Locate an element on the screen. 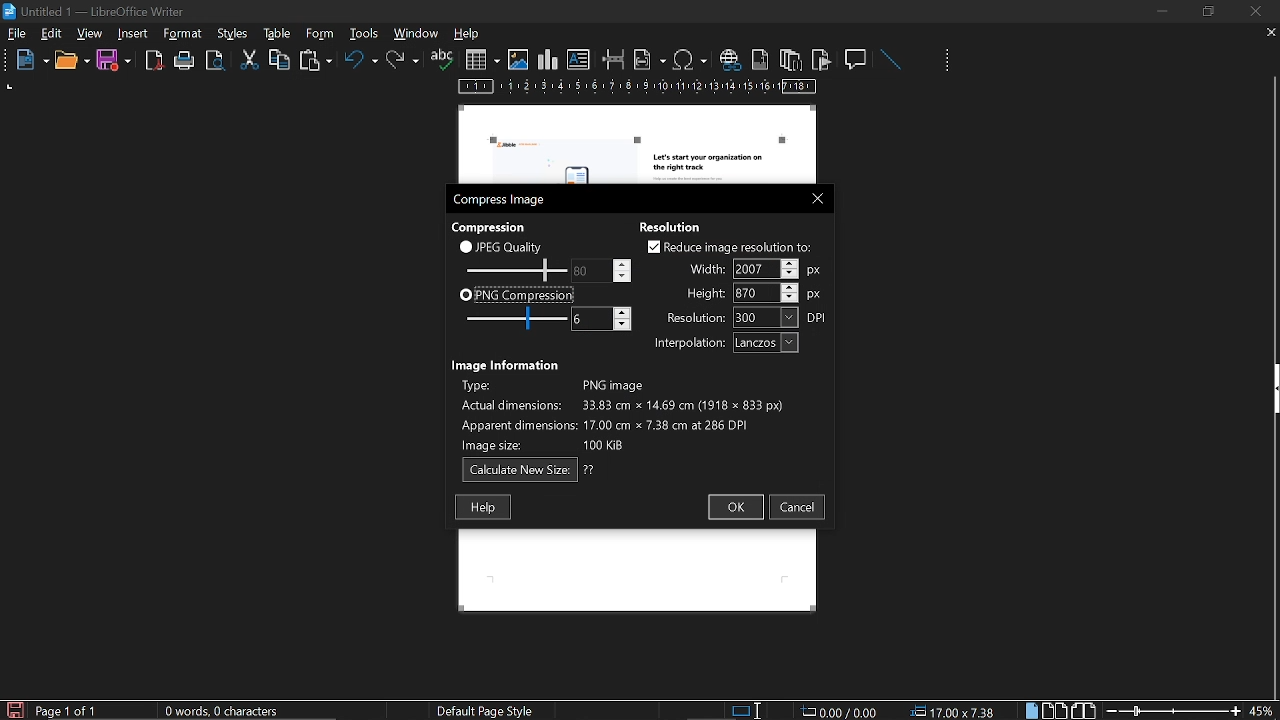  insert symbol is located at coordinates (690, 59).